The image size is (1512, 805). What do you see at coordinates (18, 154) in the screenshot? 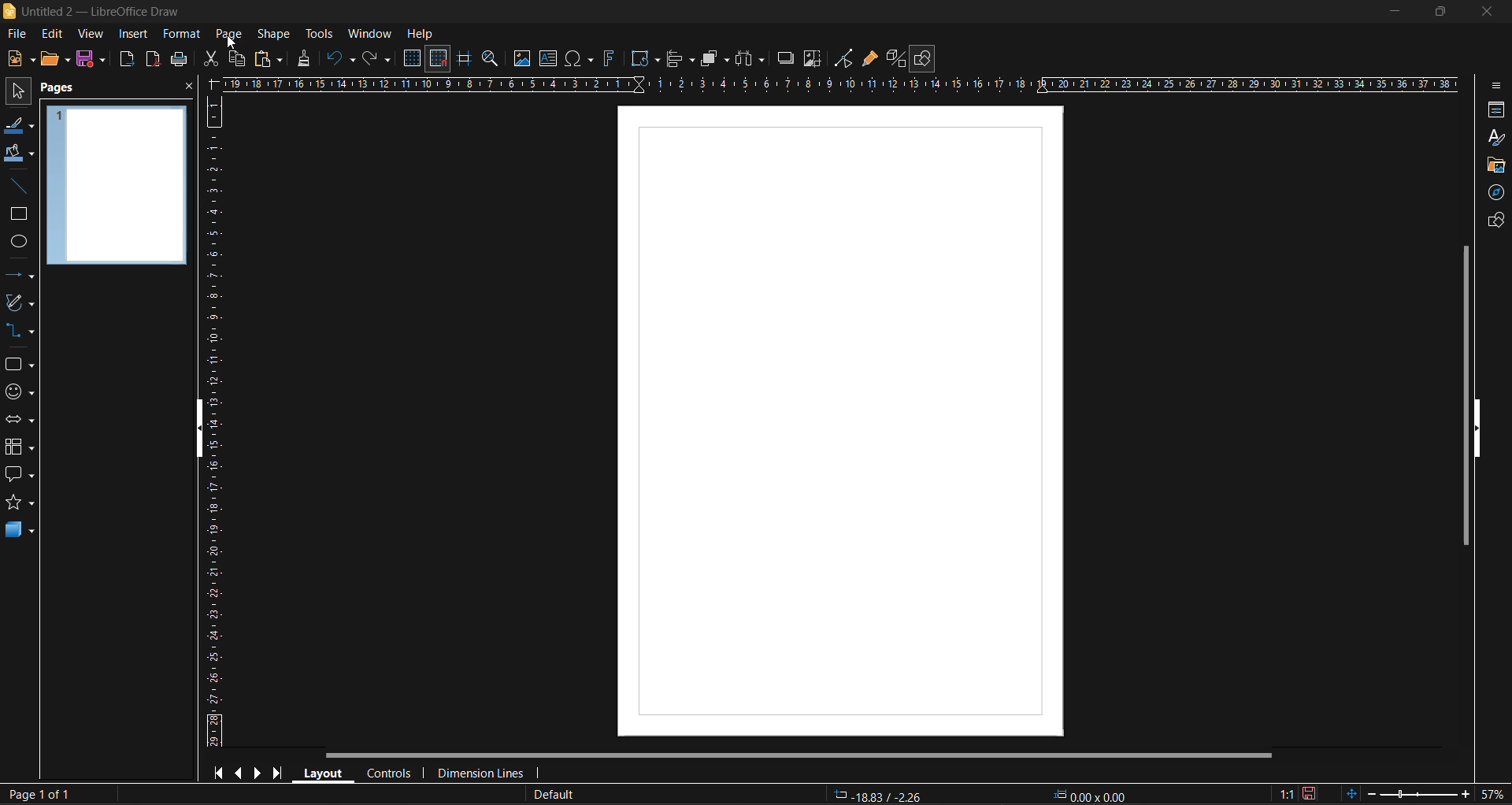
I see `fill color` at bounding box center [18, 154].